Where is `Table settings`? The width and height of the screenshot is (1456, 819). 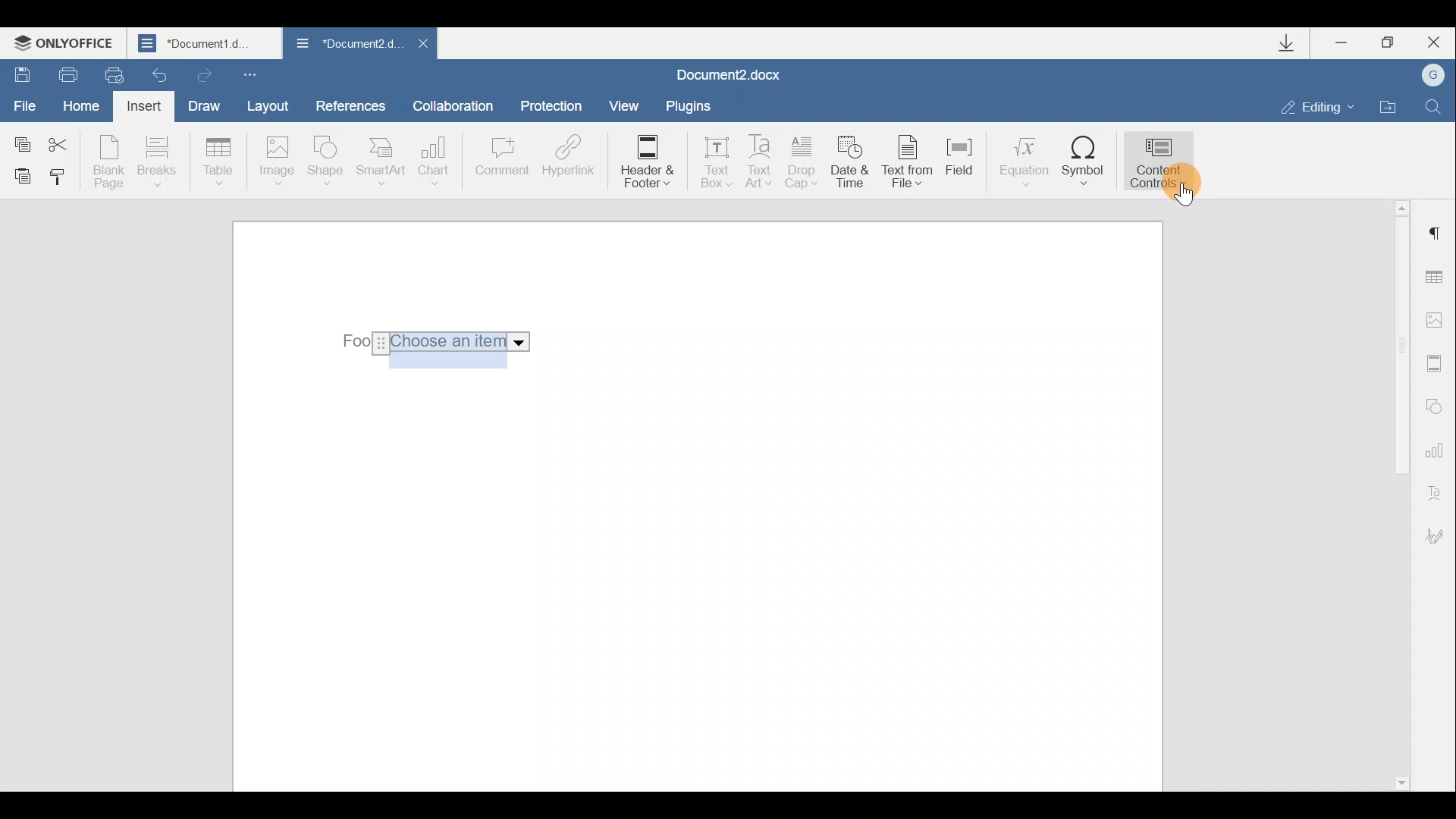 Table settings is located at coordinates (1439, 279).